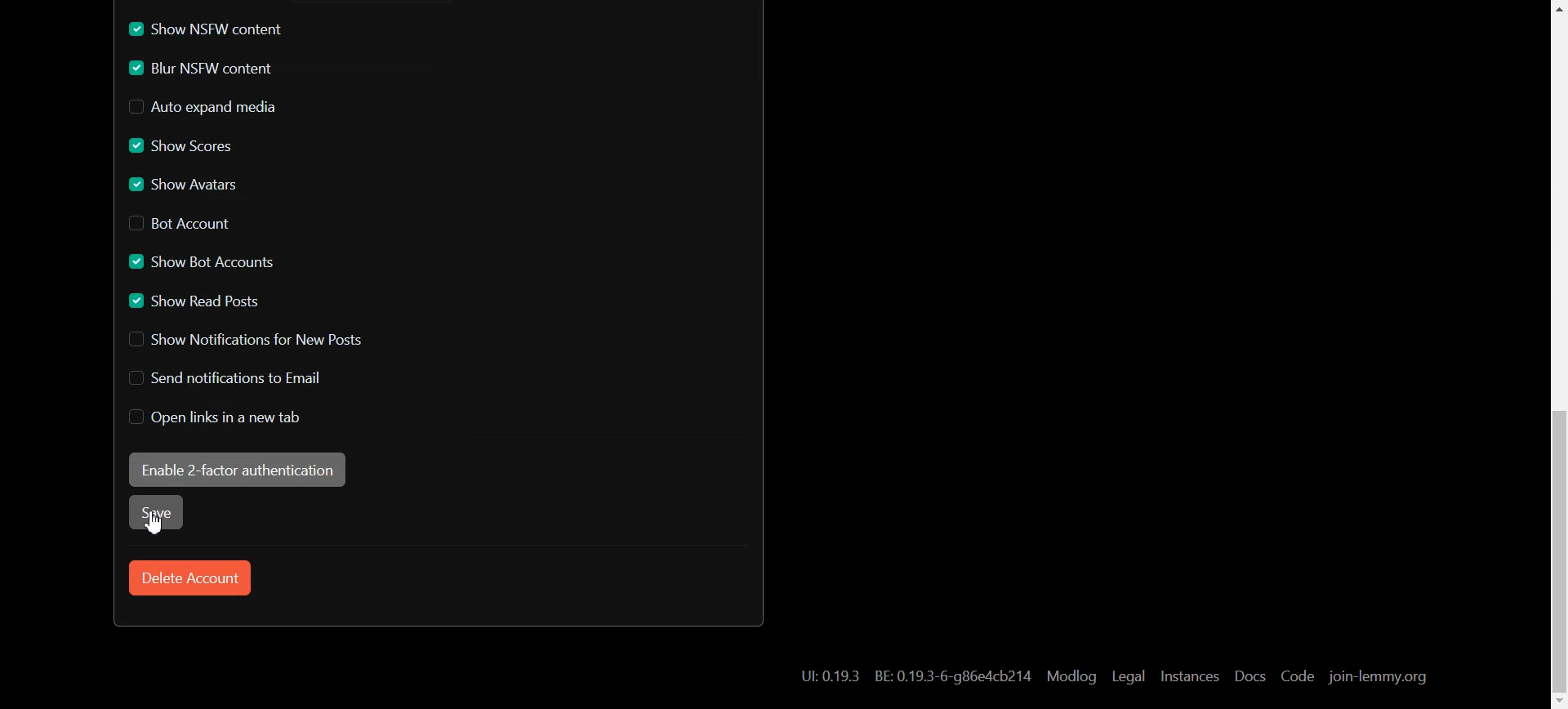  I want to click on Docs, so click(1249, 676).